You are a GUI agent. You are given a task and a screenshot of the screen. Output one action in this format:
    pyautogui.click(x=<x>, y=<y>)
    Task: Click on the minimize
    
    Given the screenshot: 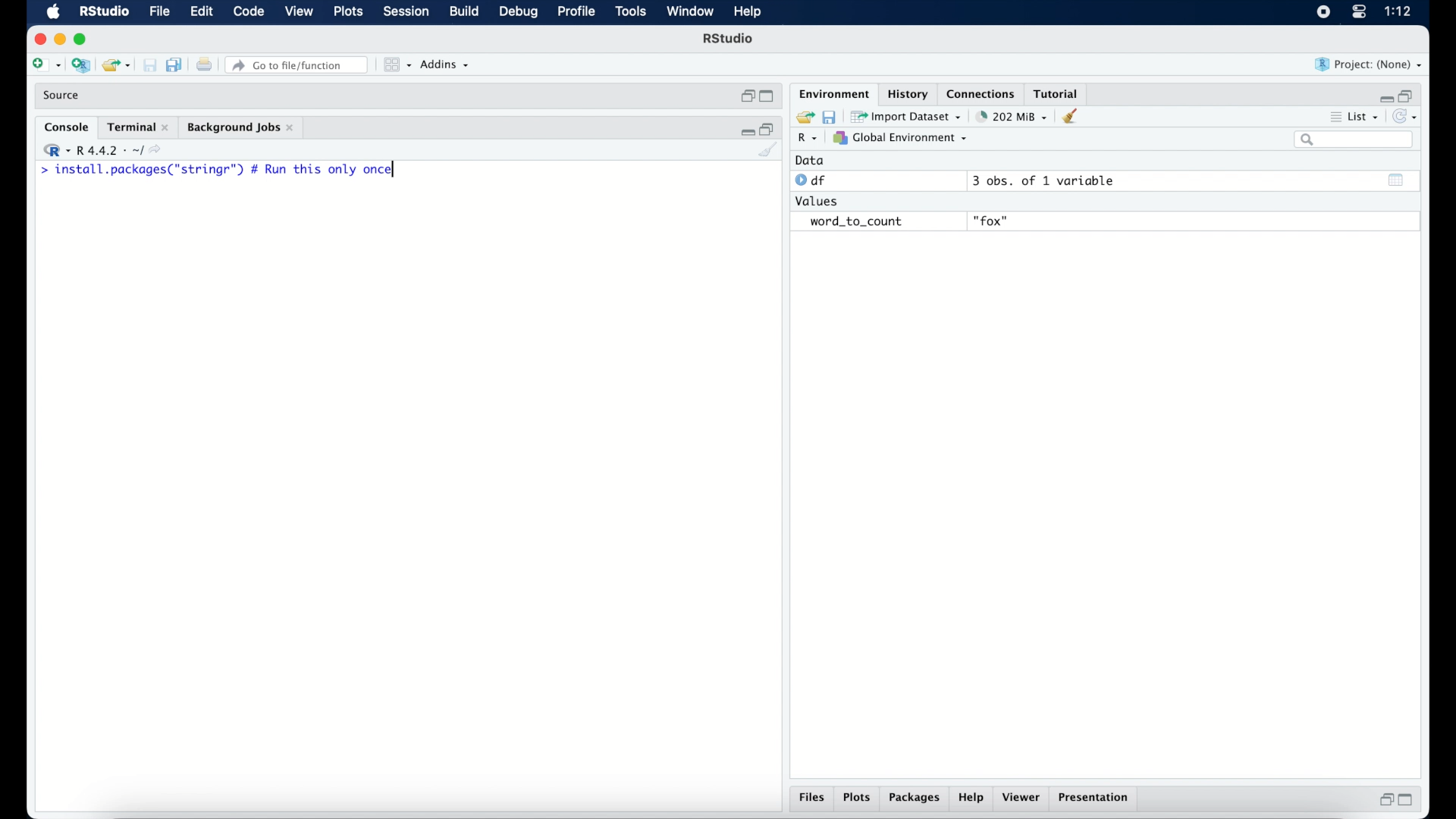 What is the action you would take?
    pyautogui.click(x=1384, y=98)
    